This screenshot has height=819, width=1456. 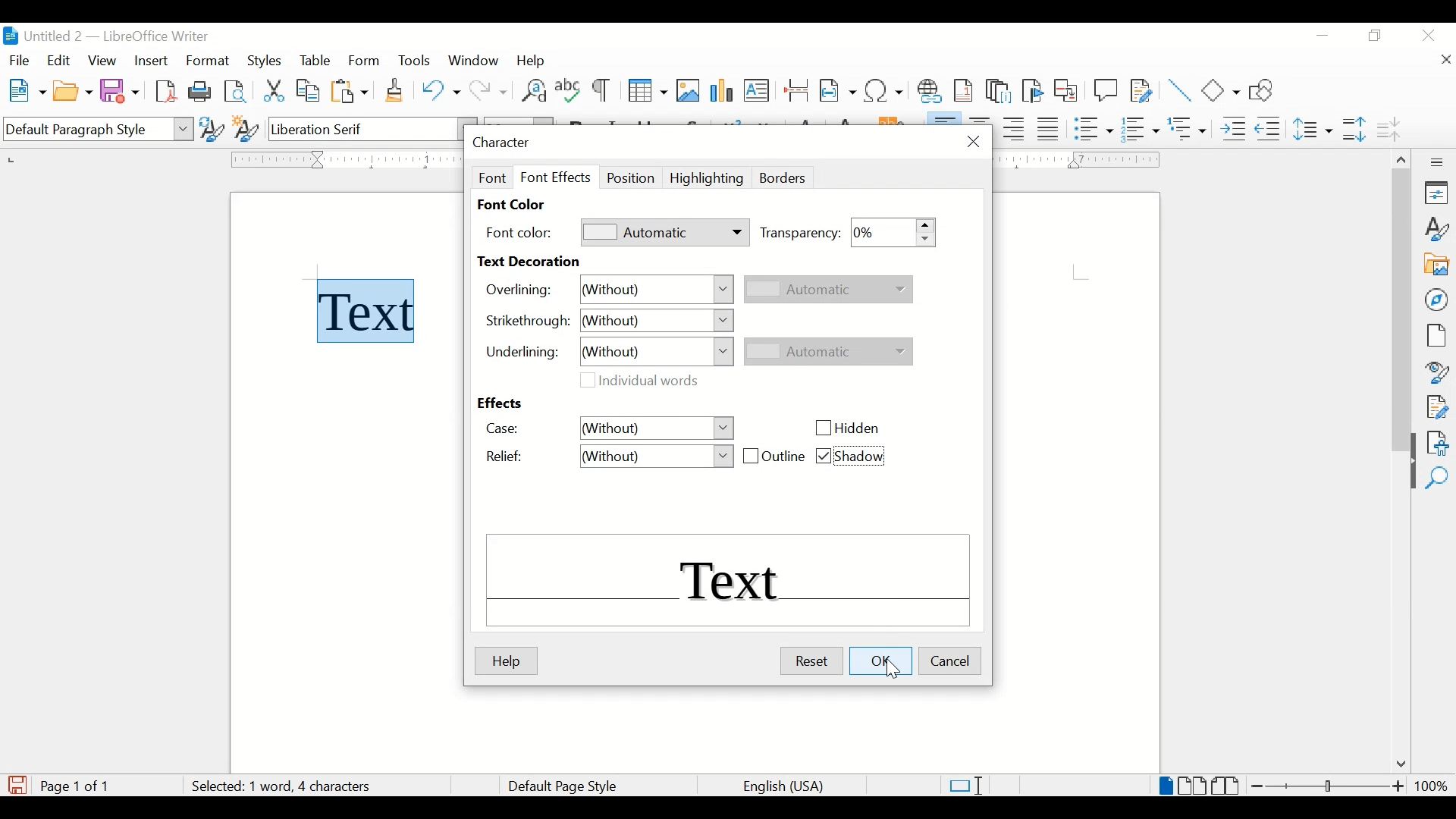 What do you see at coordinates (884, 89) in the screenshot?
I see `insert special characters` at bounding box center [884, 89].